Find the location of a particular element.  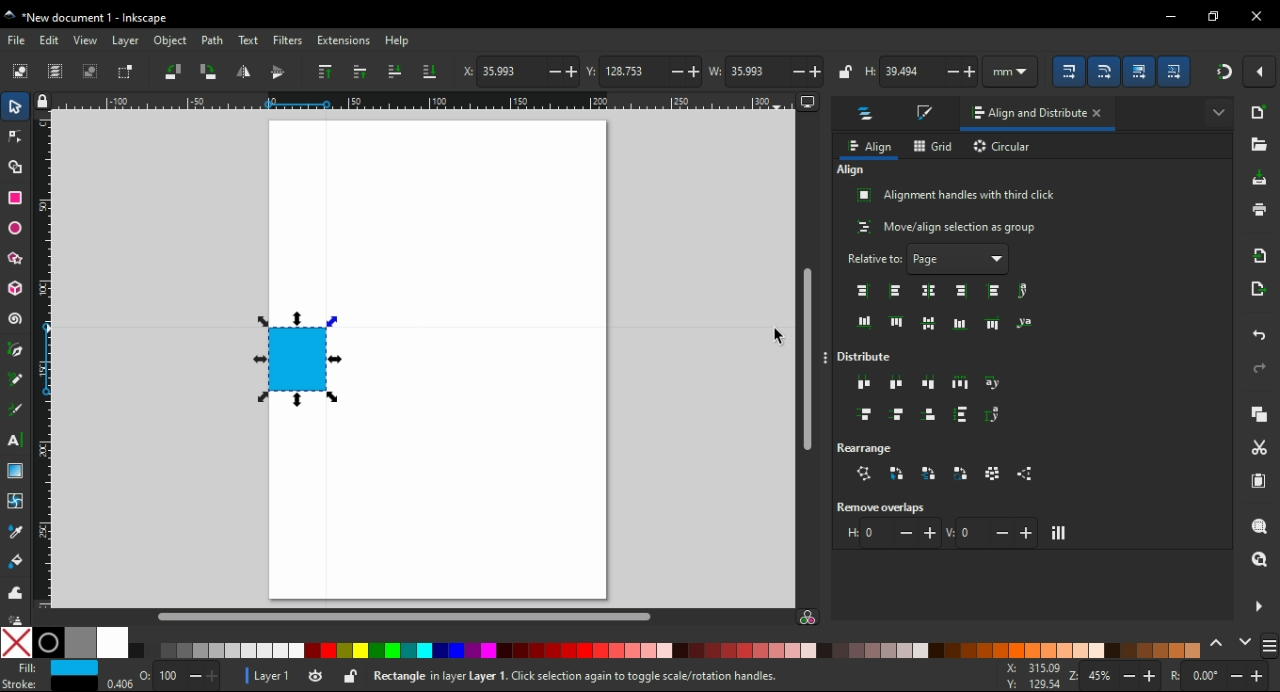

unclump objects is located at coordinates (1024, 473).